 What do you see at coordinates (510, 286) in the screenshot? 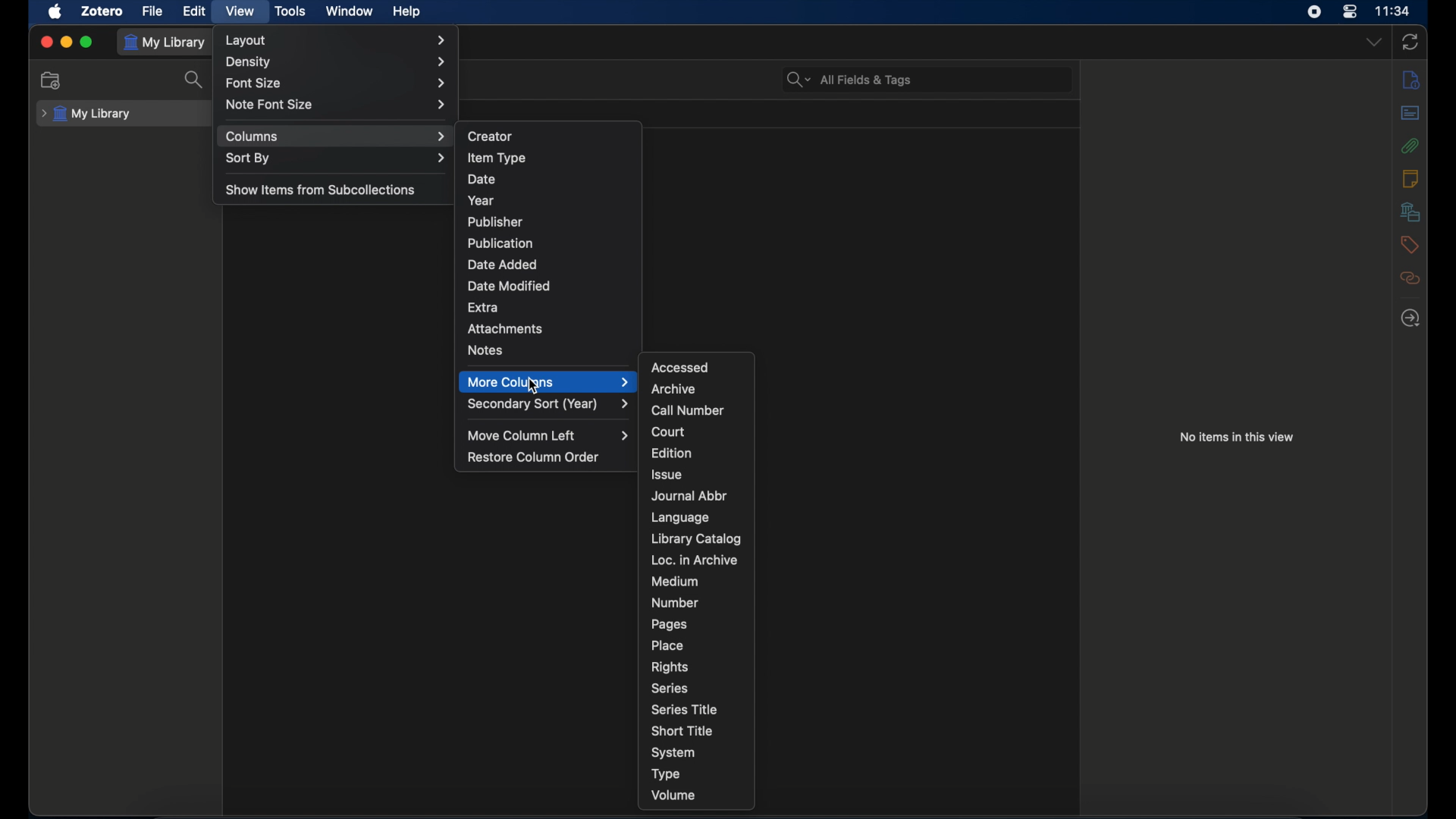
I see `date modified` at bounding box center [510, 286].